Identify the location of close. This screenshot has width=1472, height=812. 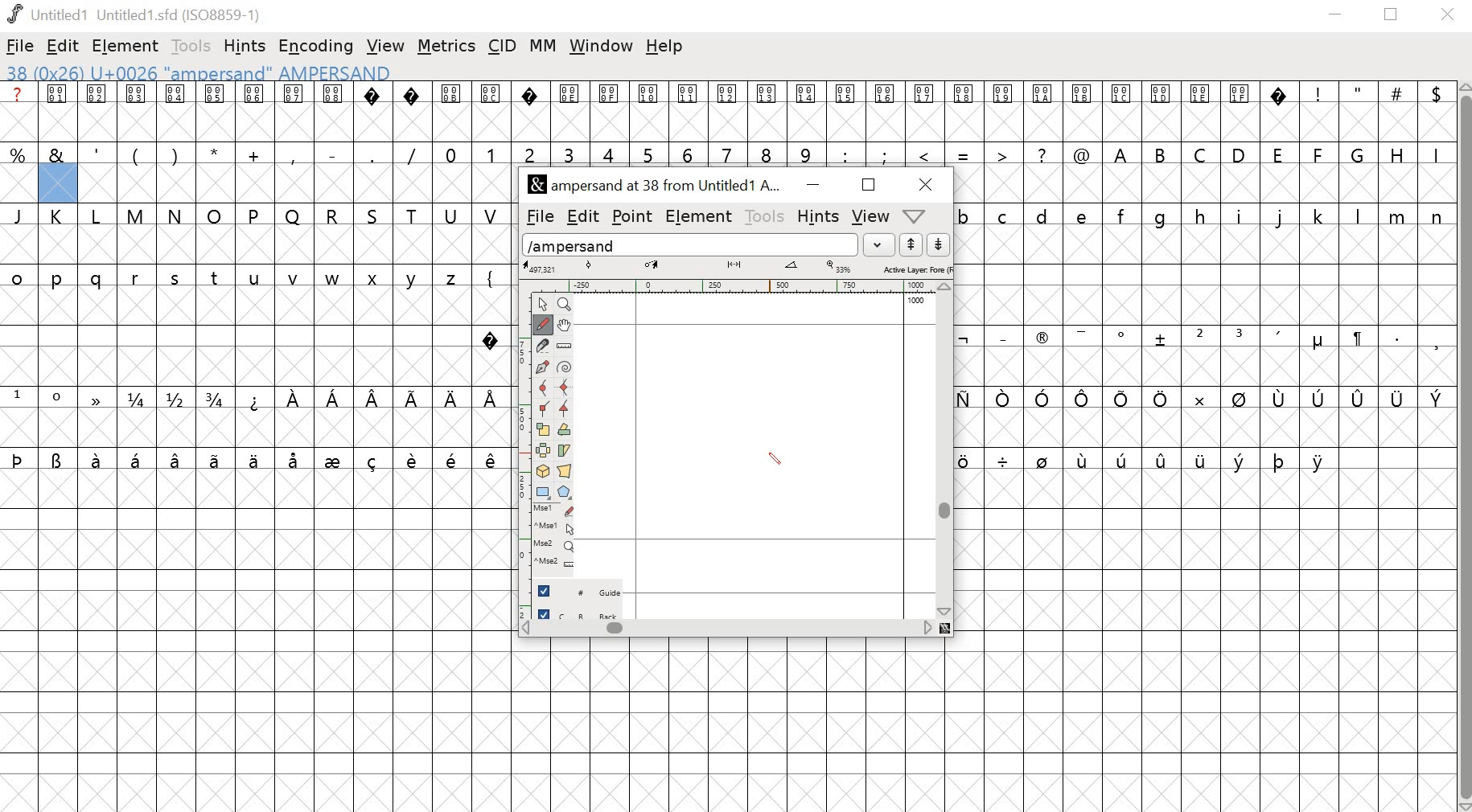
(922, 184).